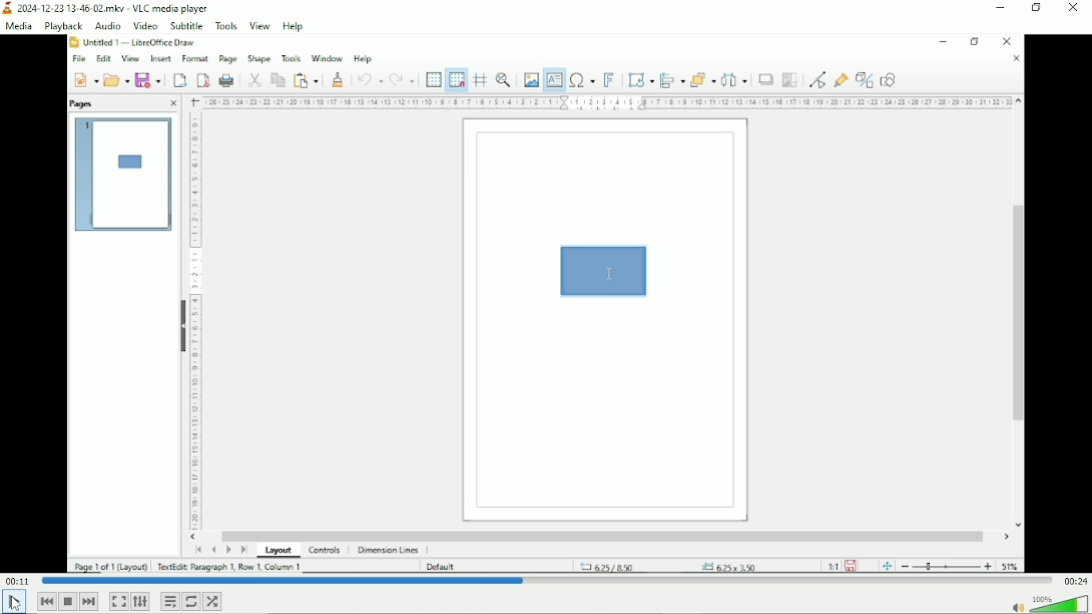 This screenshot has height=614, width=1092. What do you see at coordinates (107, 25) in the screenshot?
I see `Audio` at bounding box center [107, 25].